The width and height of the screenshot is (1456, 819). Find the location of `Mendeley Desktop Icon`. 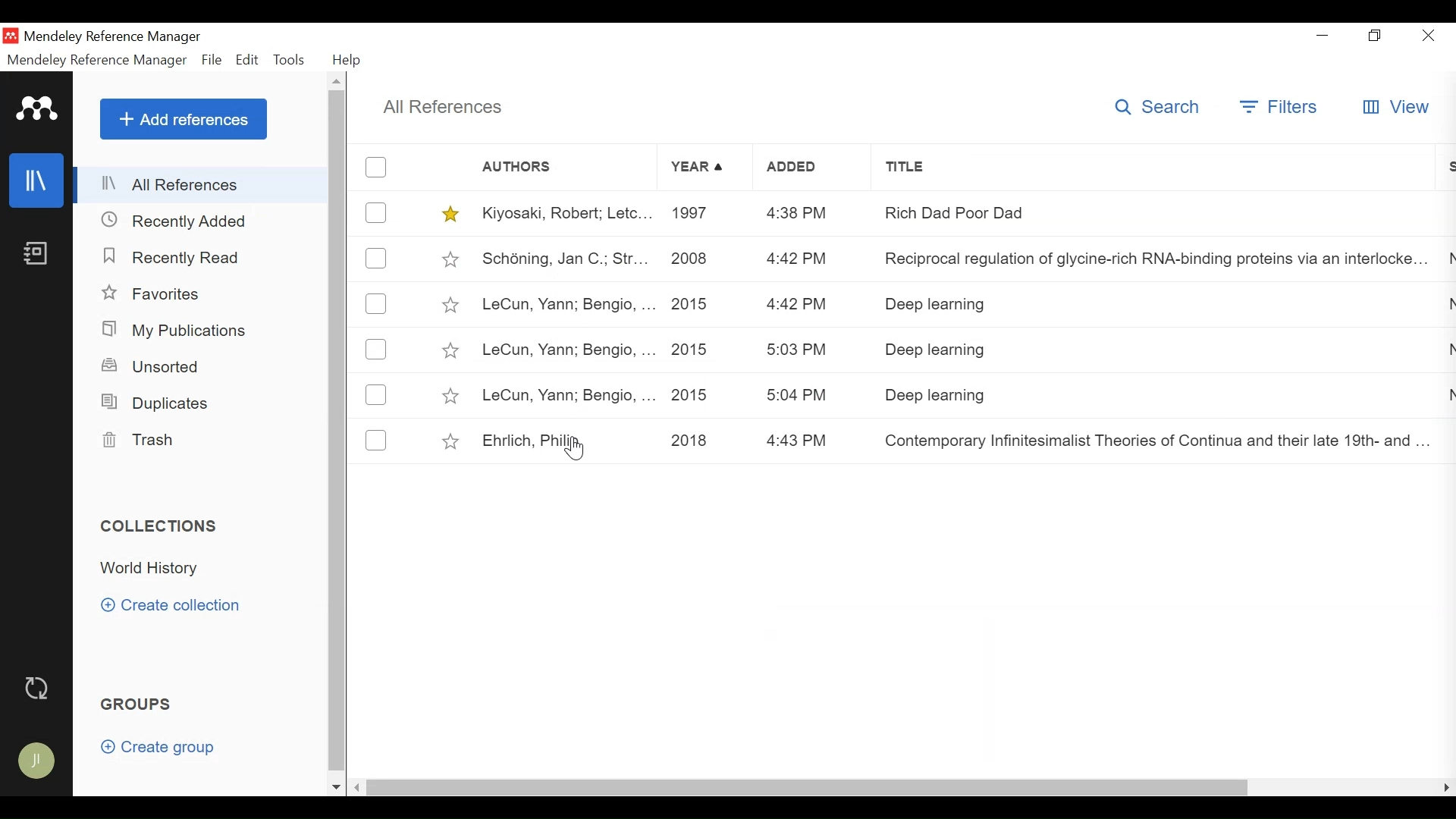

Mendeley Desktop Icon is located at coordinates (11, 36).